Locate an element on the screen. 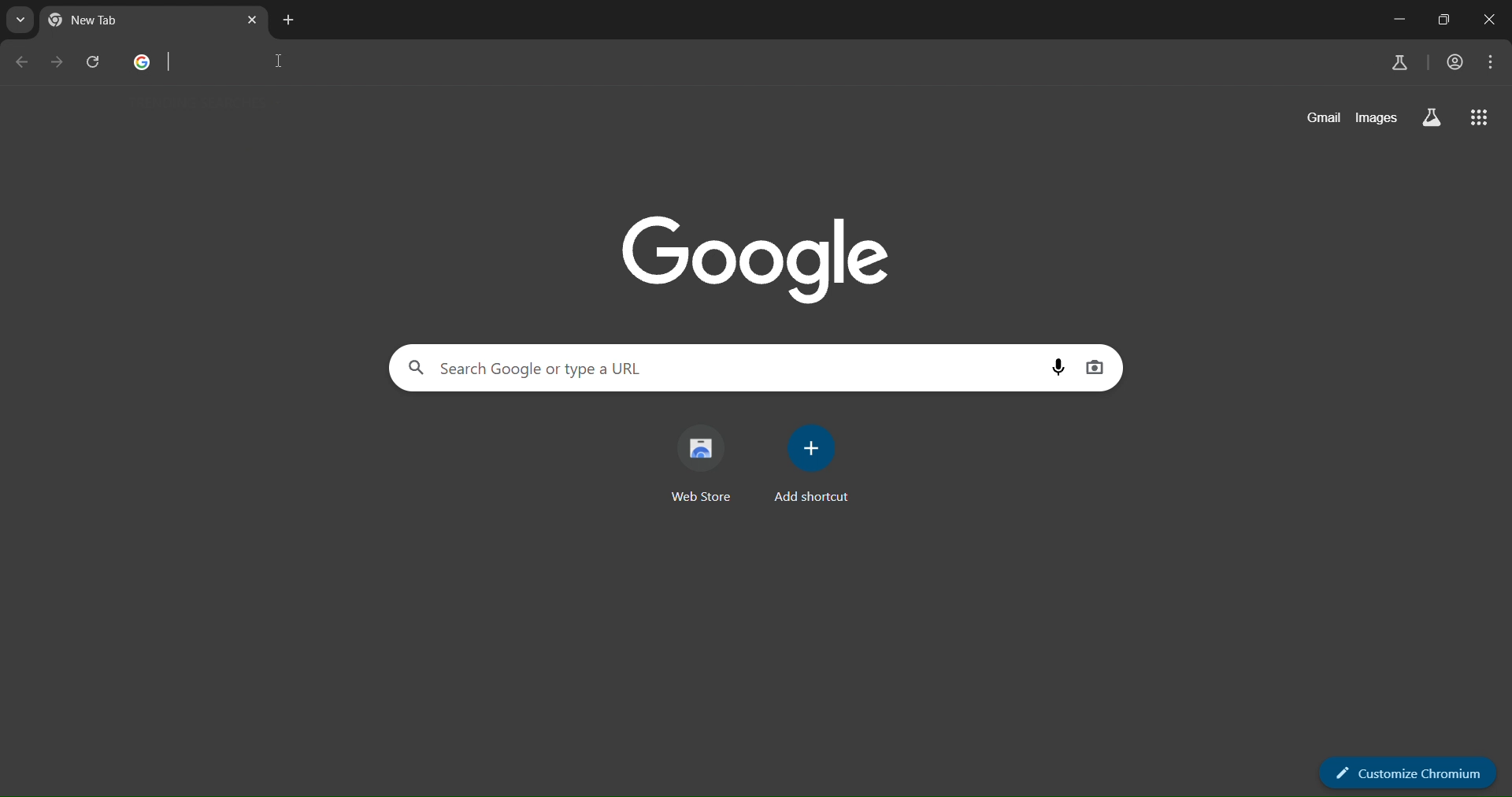  customize chromium is located at coordinates (1410, 773).